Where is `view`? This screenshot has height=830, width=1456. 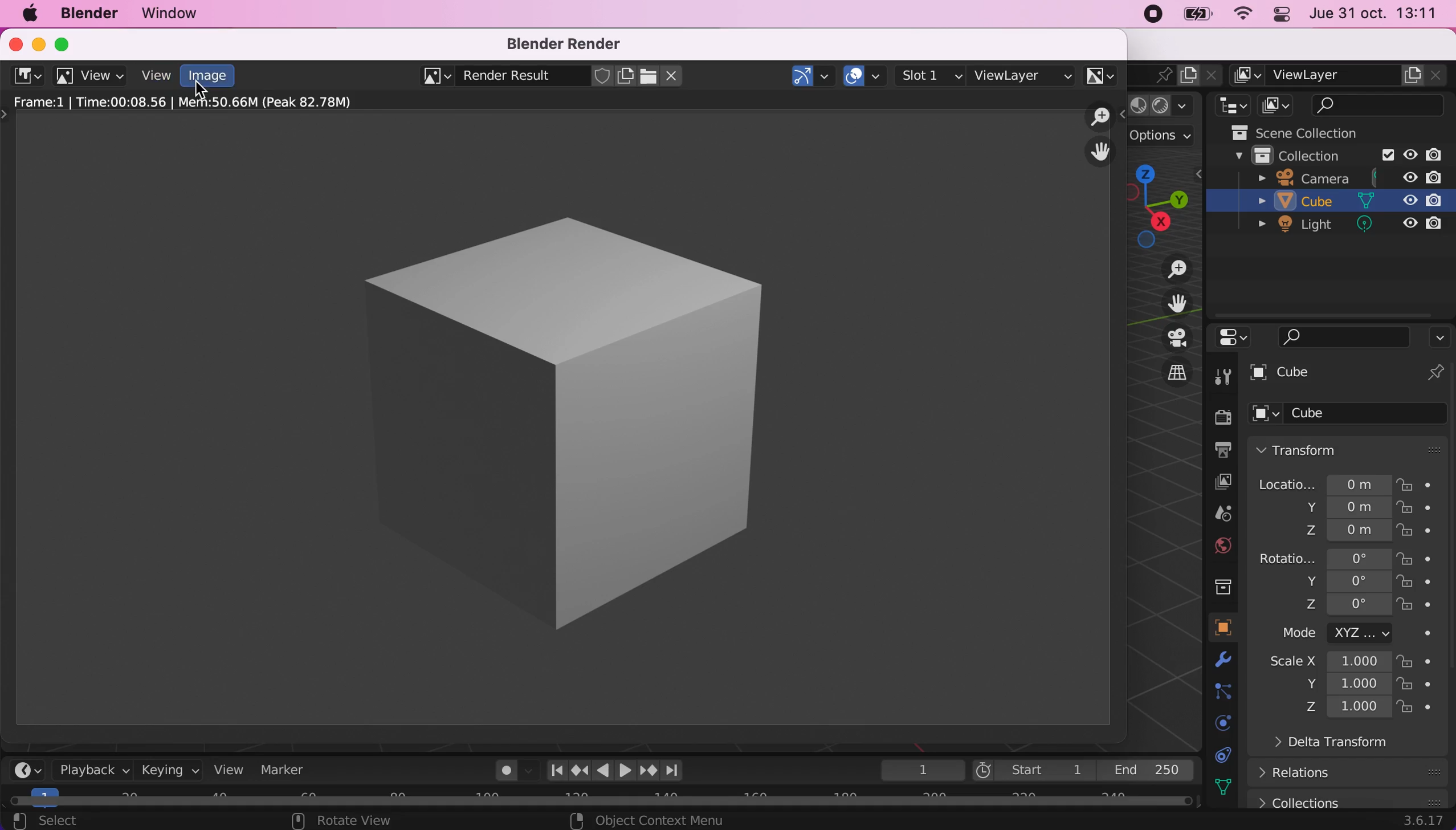
view is located at coordinates (156, 75).